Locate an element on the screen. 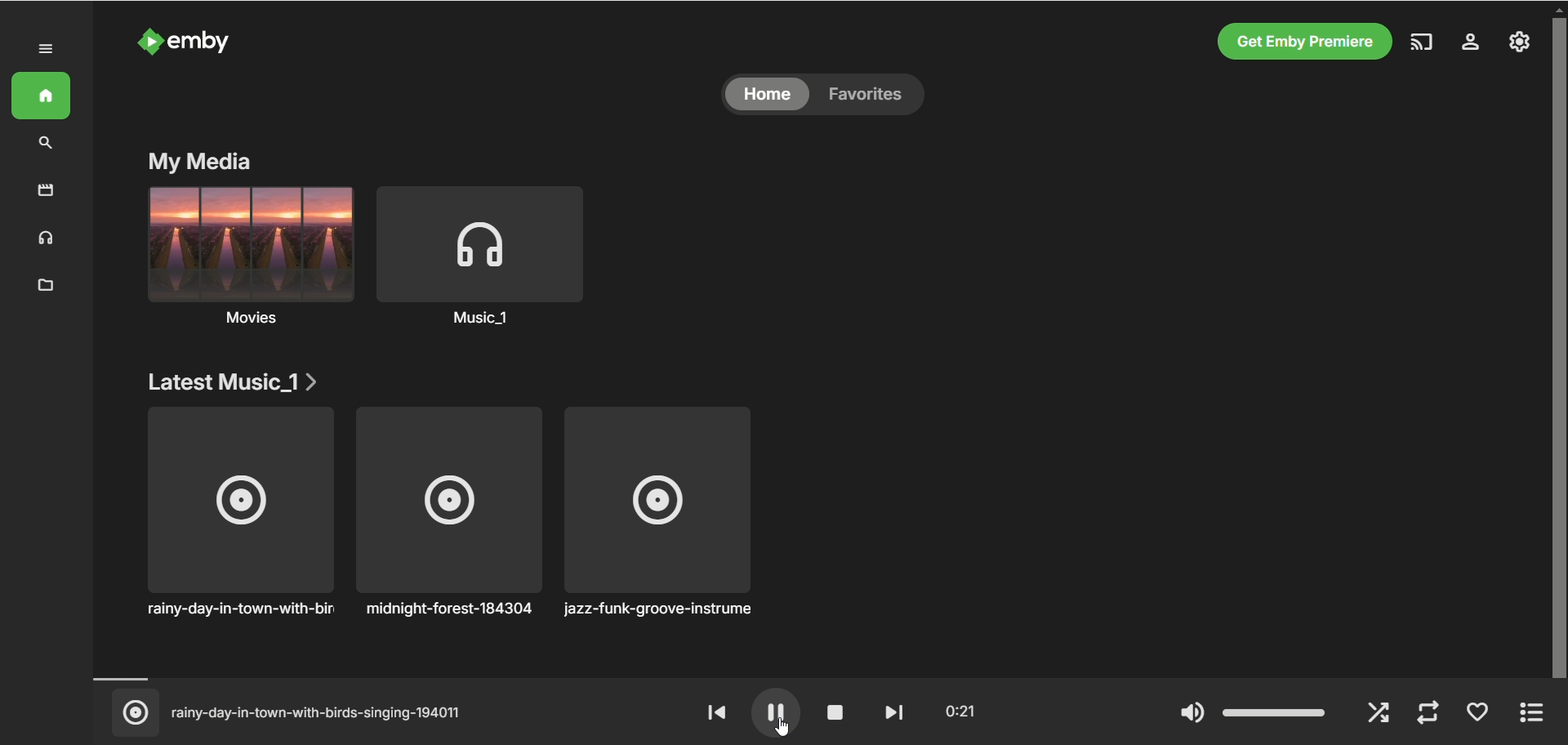 This screenshot has width=1568, height=745. favorite is located at coordinates (1479, 712).